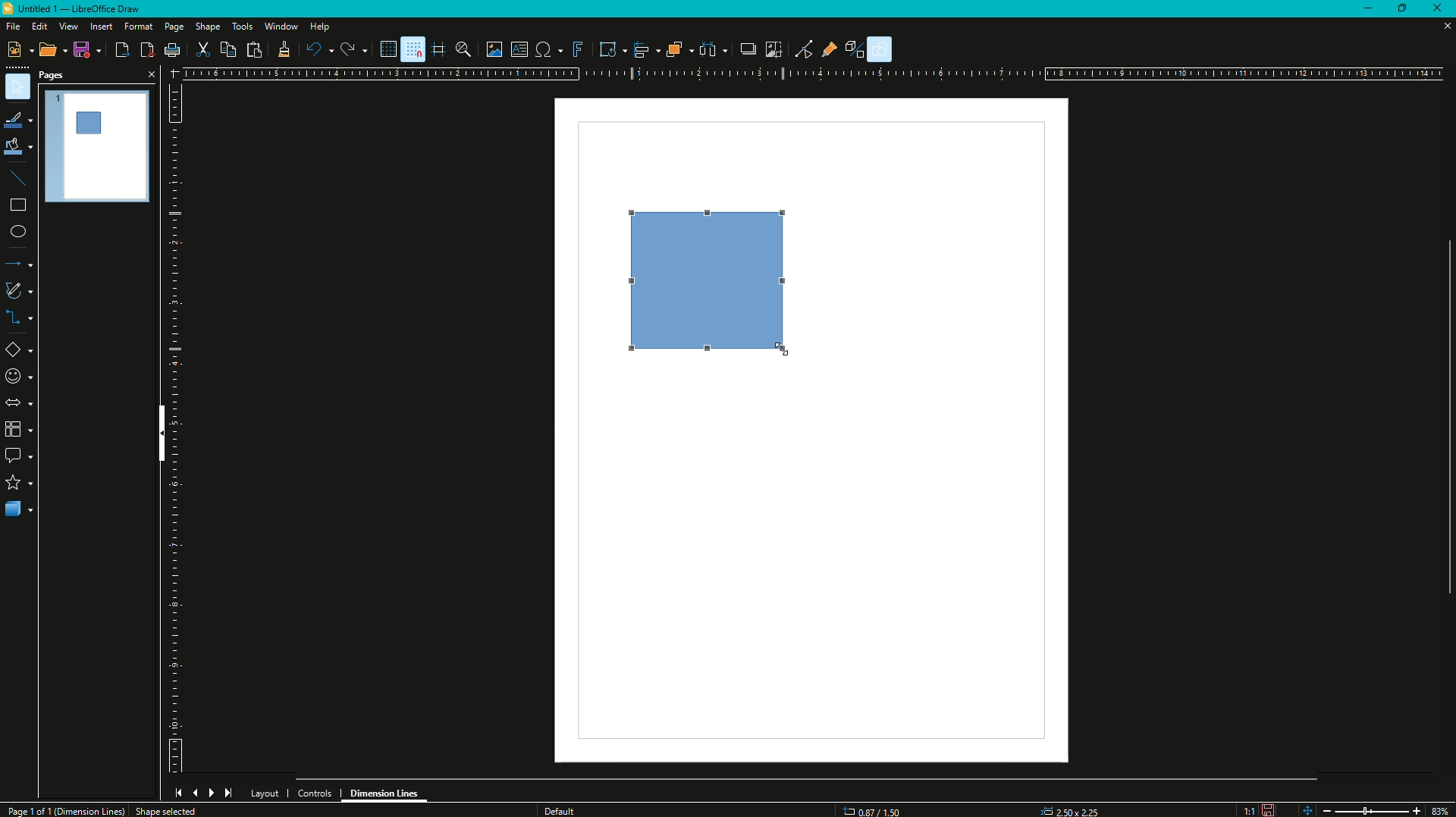 This screenshot has width=1456, height=817. What do you see at coordinates (717, 282) in the screenshot?
I see `Square` at bounding box center [717, 282].